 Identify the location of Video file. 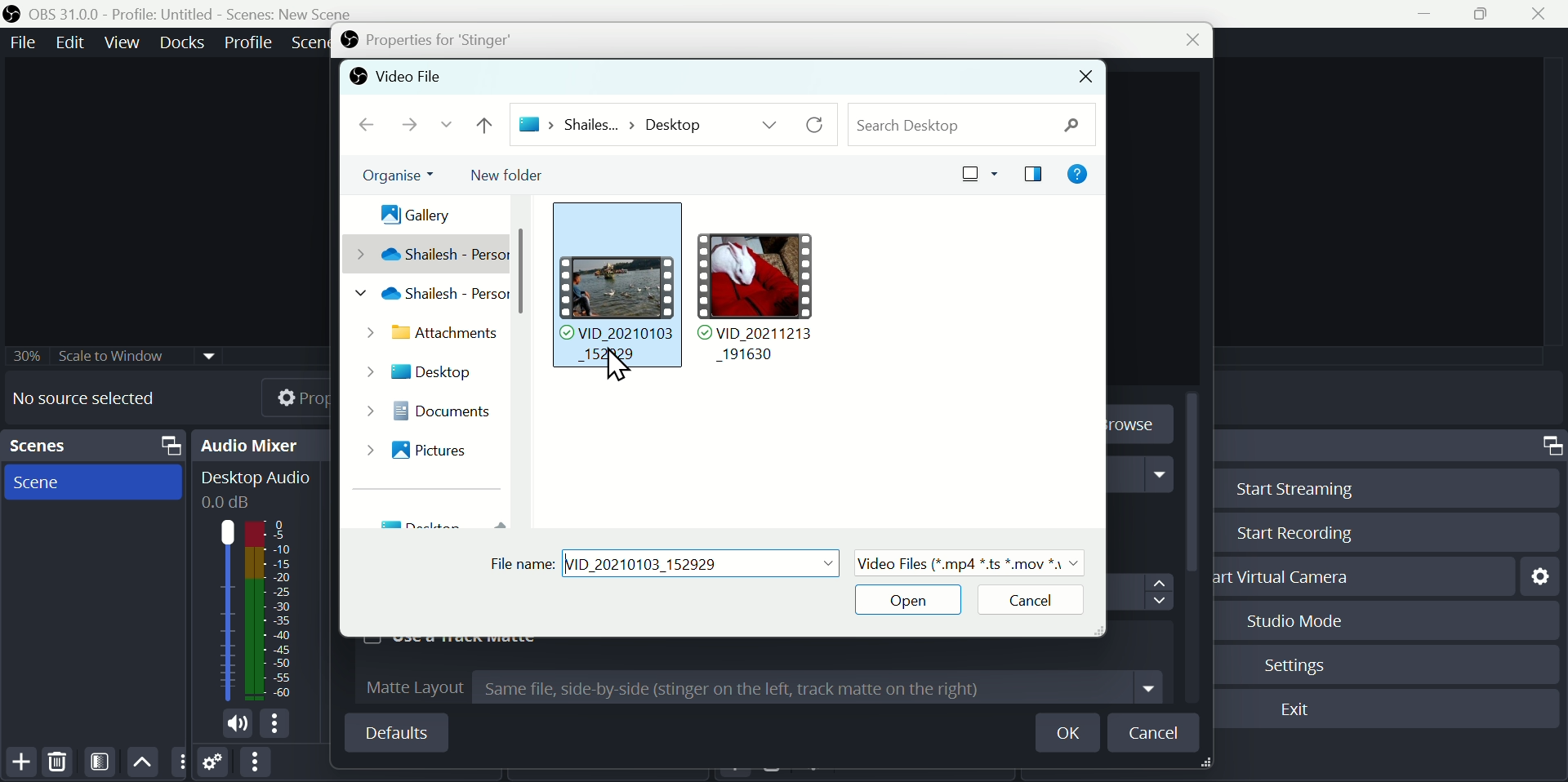
(395, 78).